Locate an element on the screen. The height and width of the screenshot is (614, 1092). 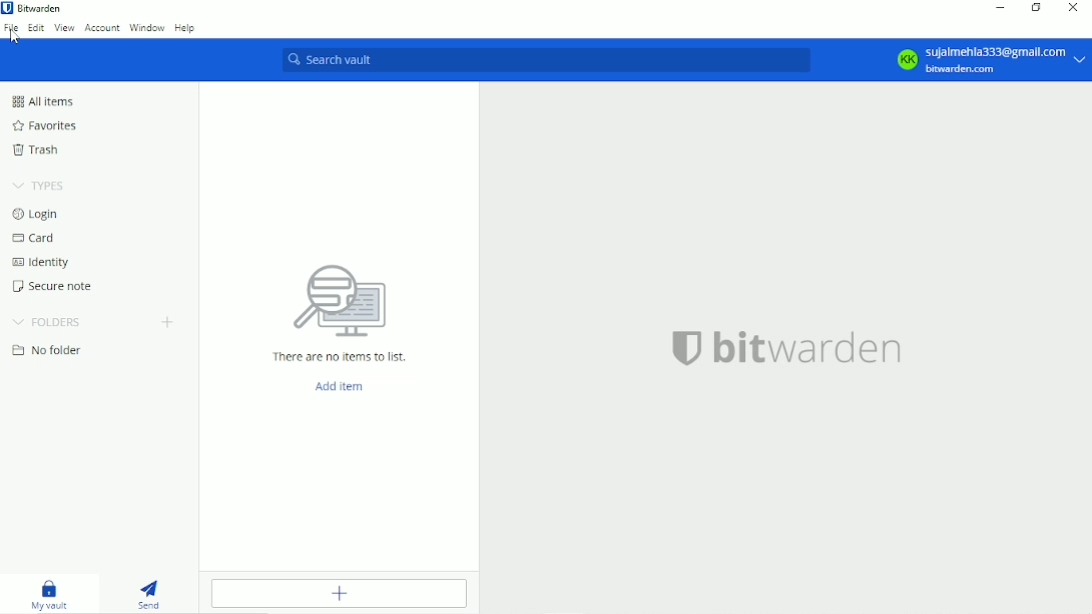
There are no items to list. is located at coordinates (339, 314).